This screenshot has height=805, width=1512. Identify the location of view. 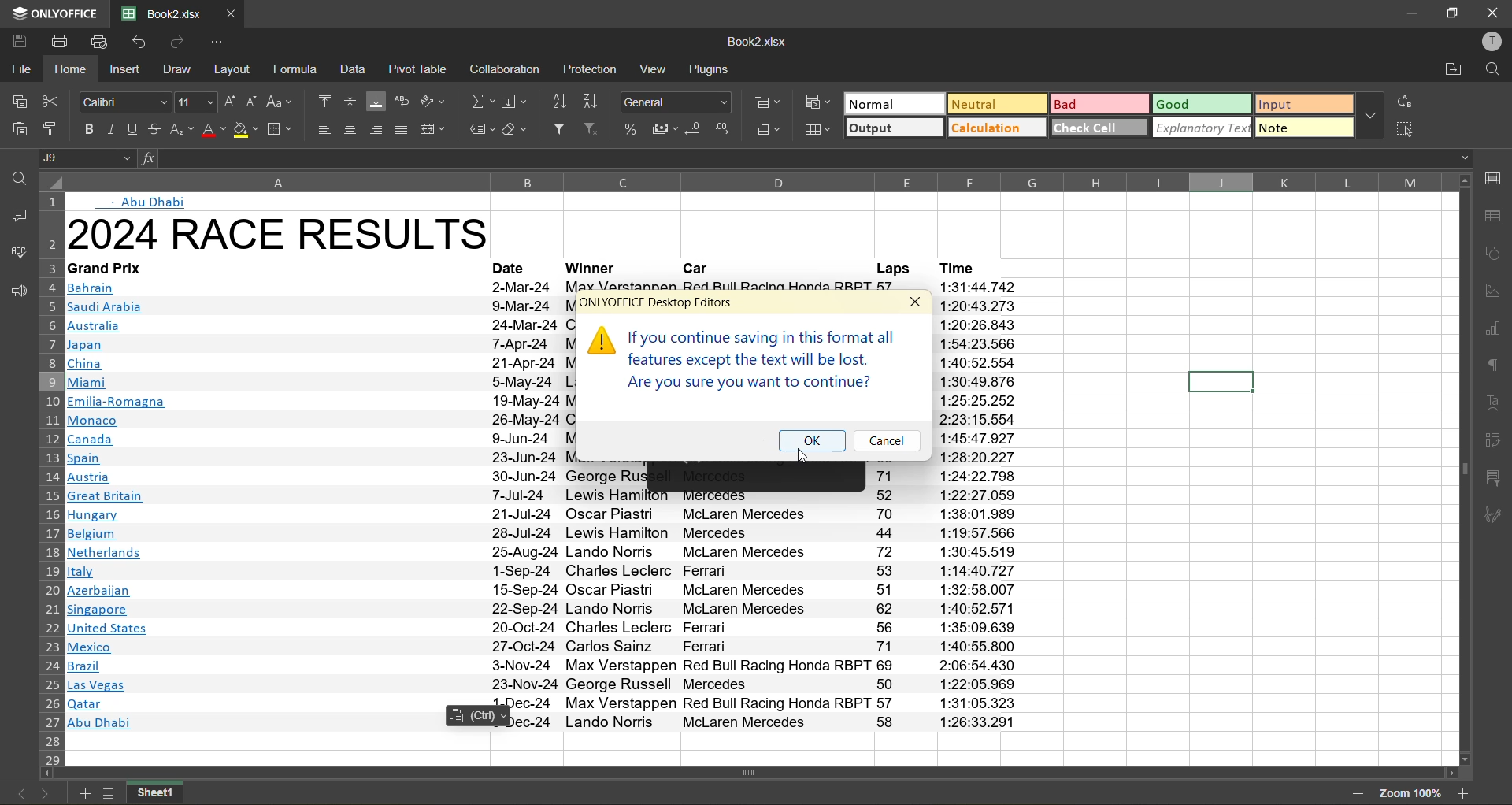
(654, 71).